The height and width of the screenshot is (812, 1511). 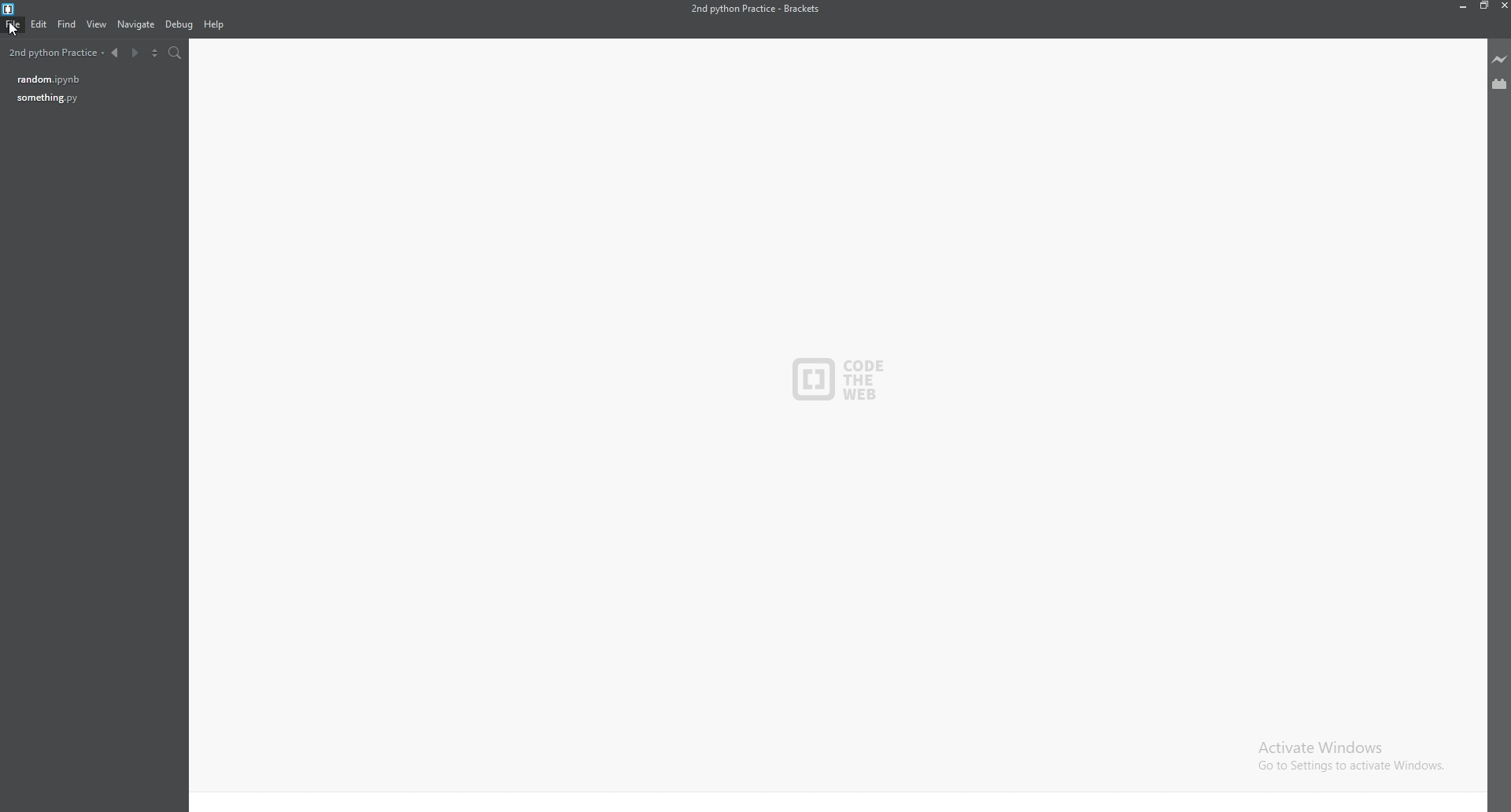 What do you see at coordinates (1483, 6) in the screenshot?
I see `resize` at bounding box center [1483, 6].